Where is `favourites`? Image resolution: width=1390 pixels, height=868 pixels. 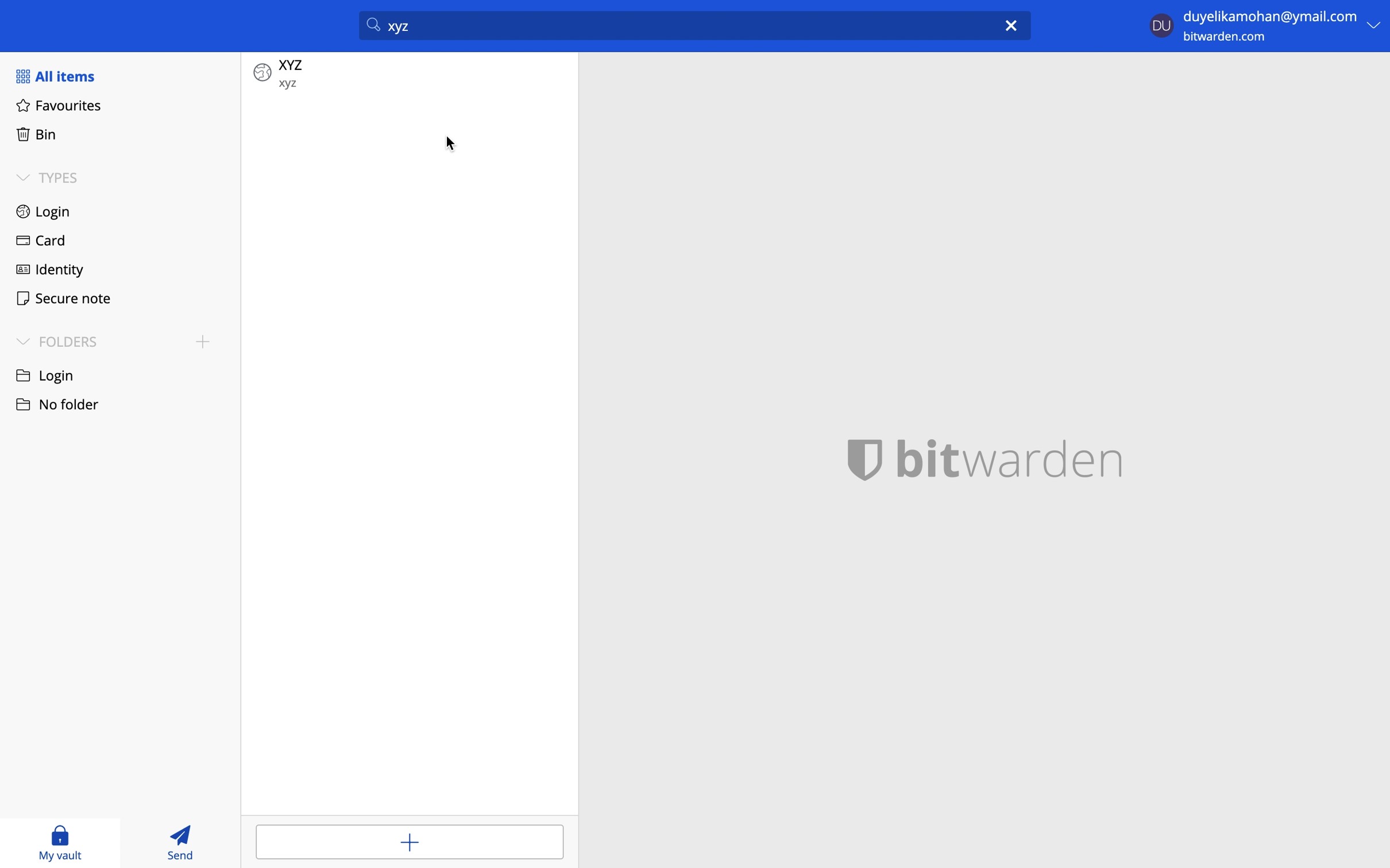 favourites is located at coordinates (60, 107).